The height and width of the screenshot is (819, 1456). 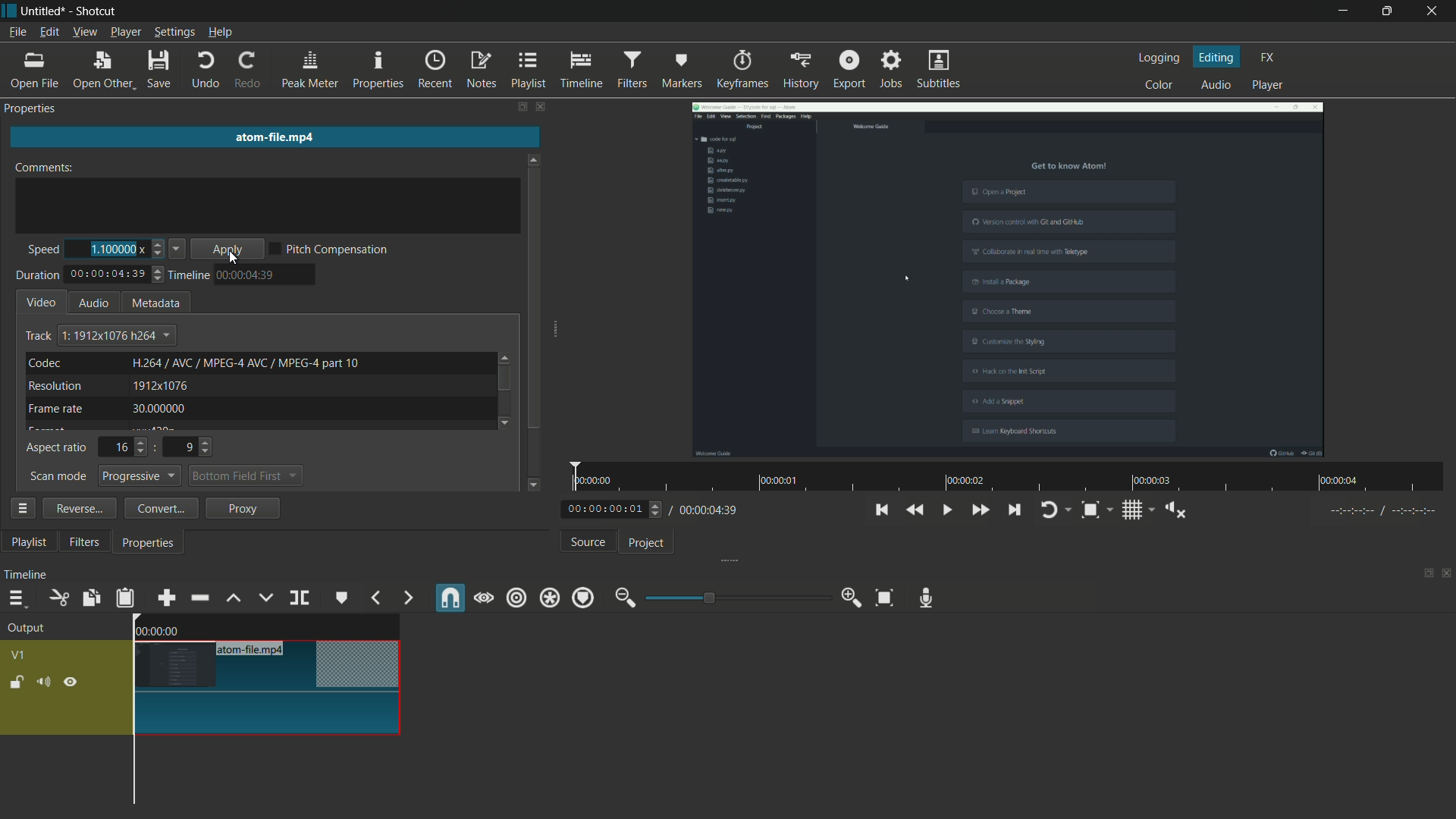 What do you see at coordinates (77, 507) in the screenshot?
I see `reverse` at bounding box center [77, 507].